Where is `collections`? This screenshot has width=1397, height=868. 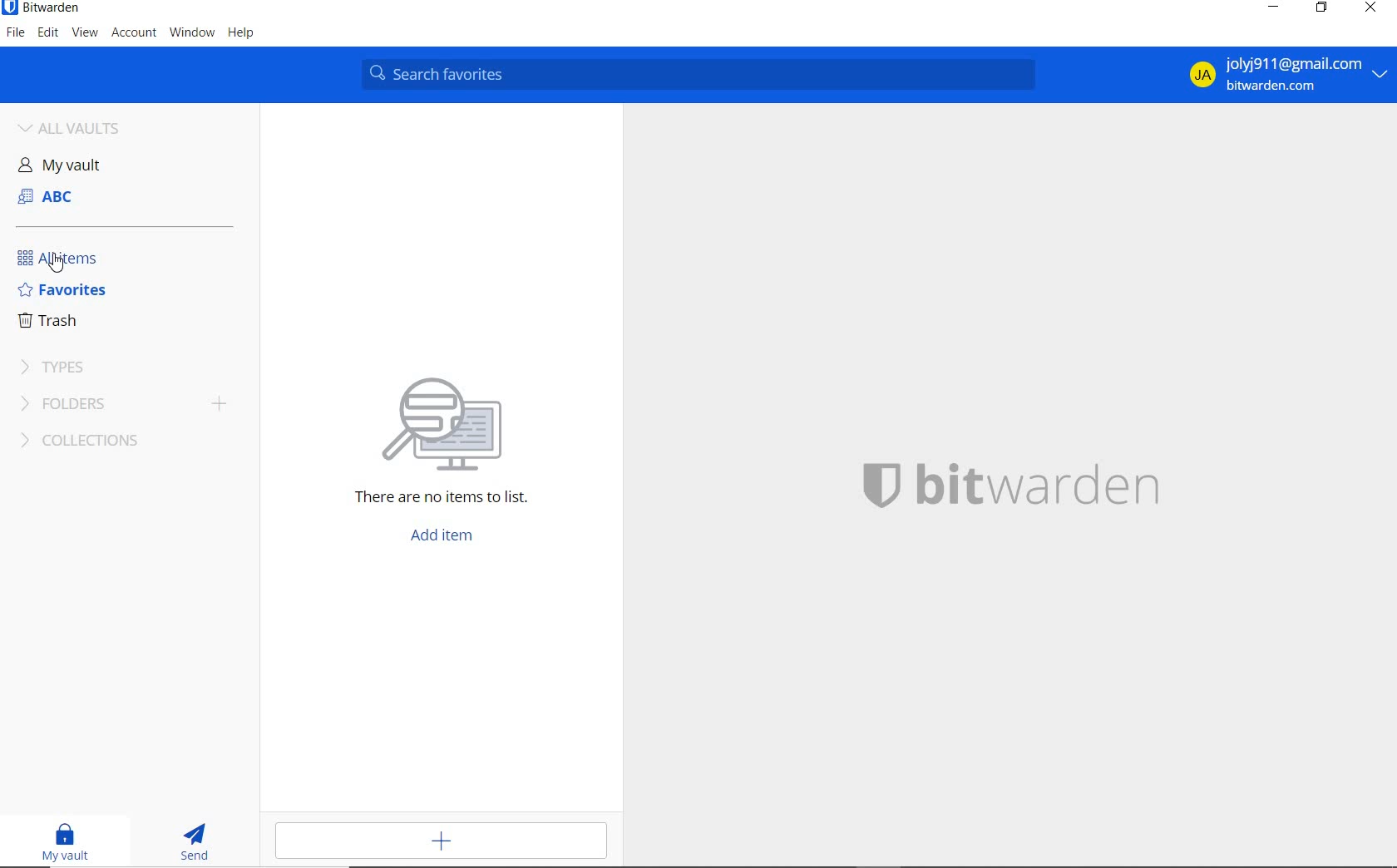 collections is located at coordinates (99, 442).